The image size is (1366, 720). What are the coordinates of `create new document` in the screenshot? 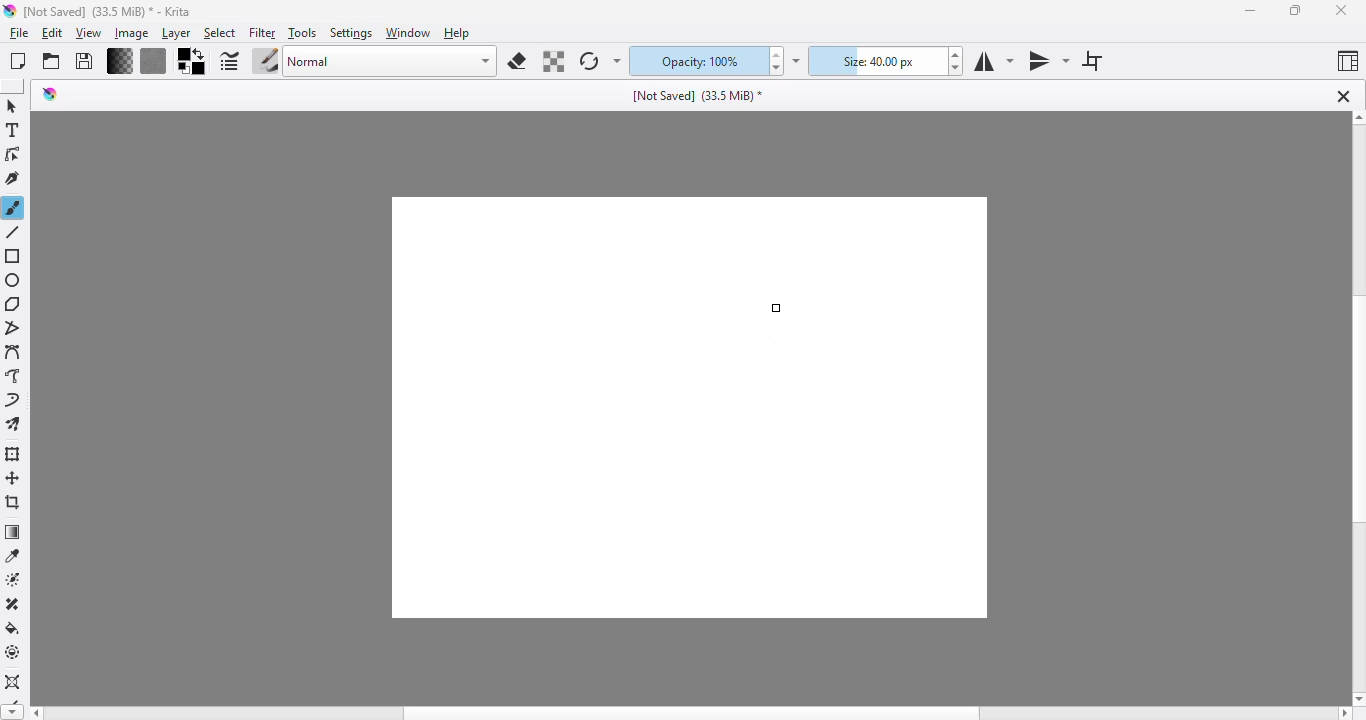 It's located at (18, 61).